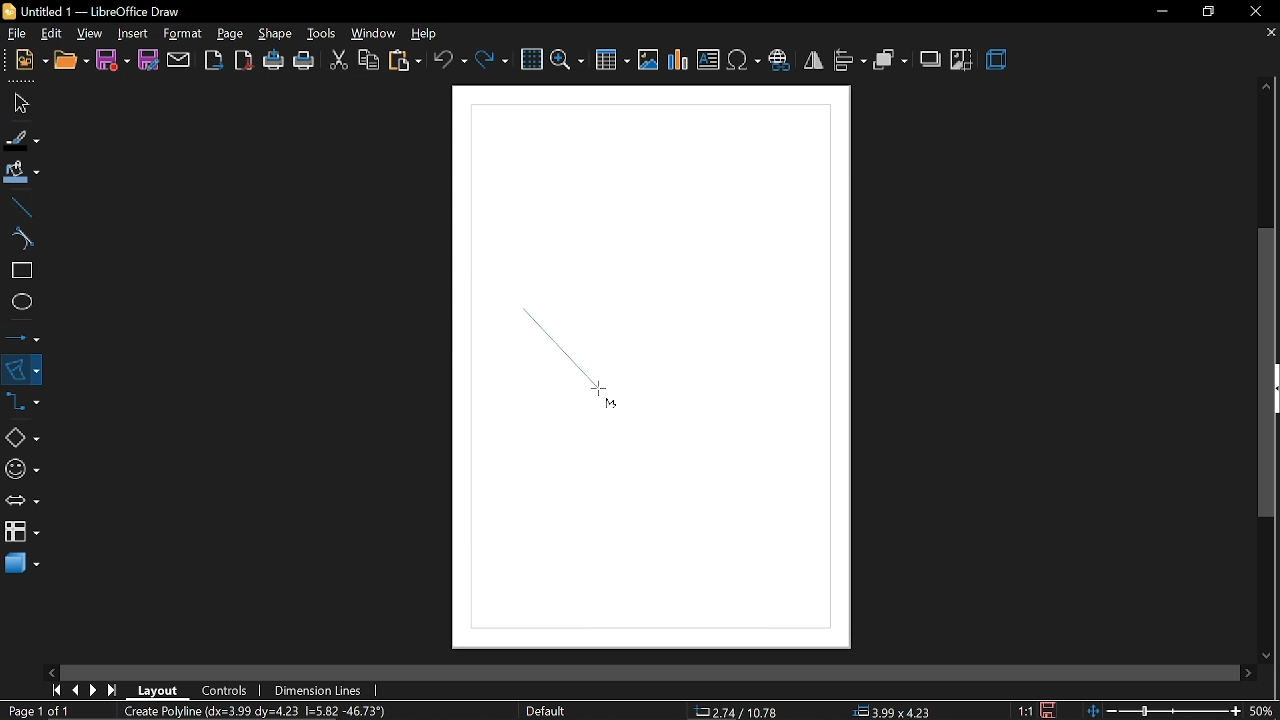  Describe the element at coordinates (70, 61) in the screenshot. I see `open` at that location.